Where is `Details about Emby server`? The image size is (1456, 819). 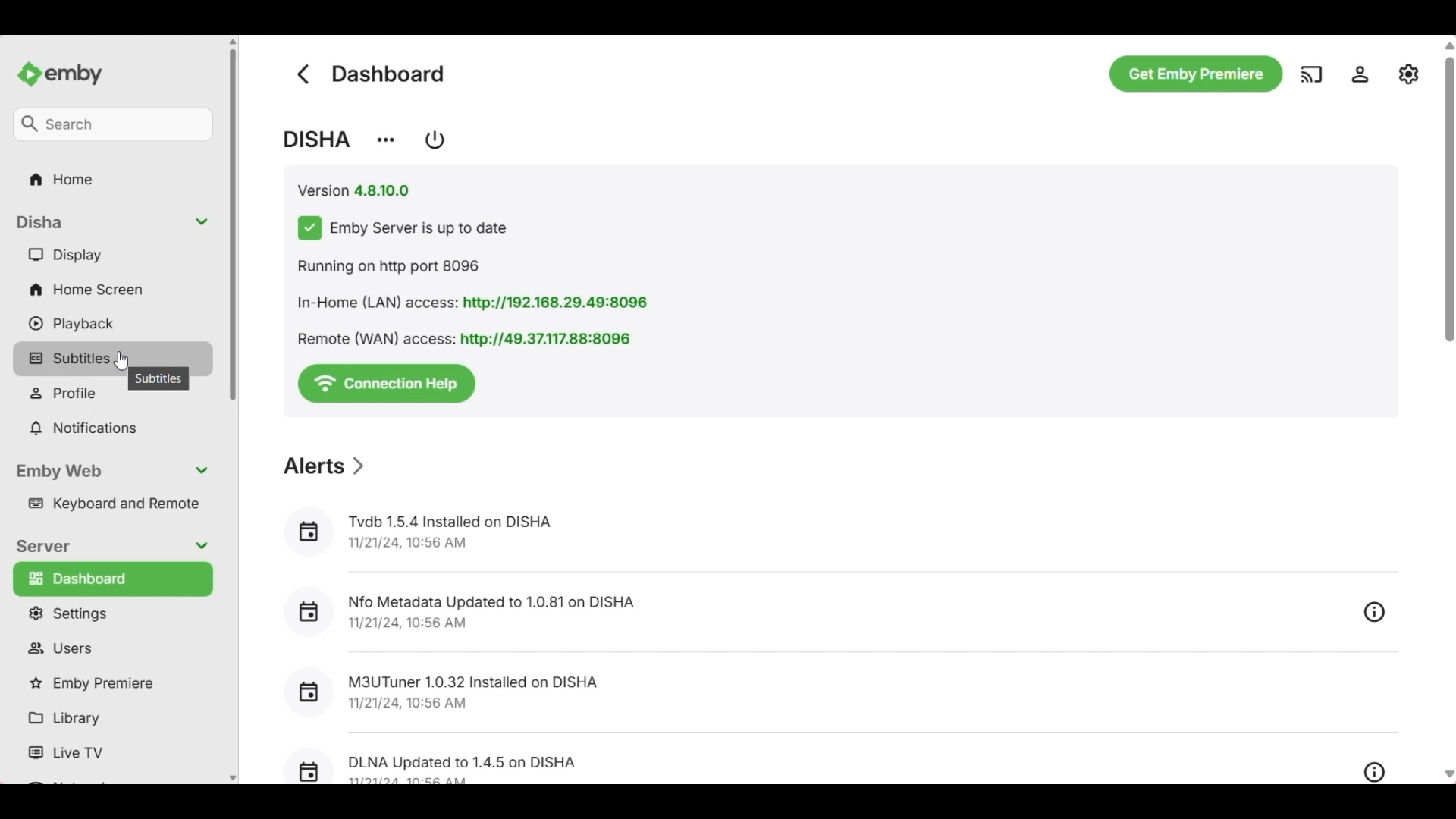 Details about Emby server is located at coordinates (476, 267).